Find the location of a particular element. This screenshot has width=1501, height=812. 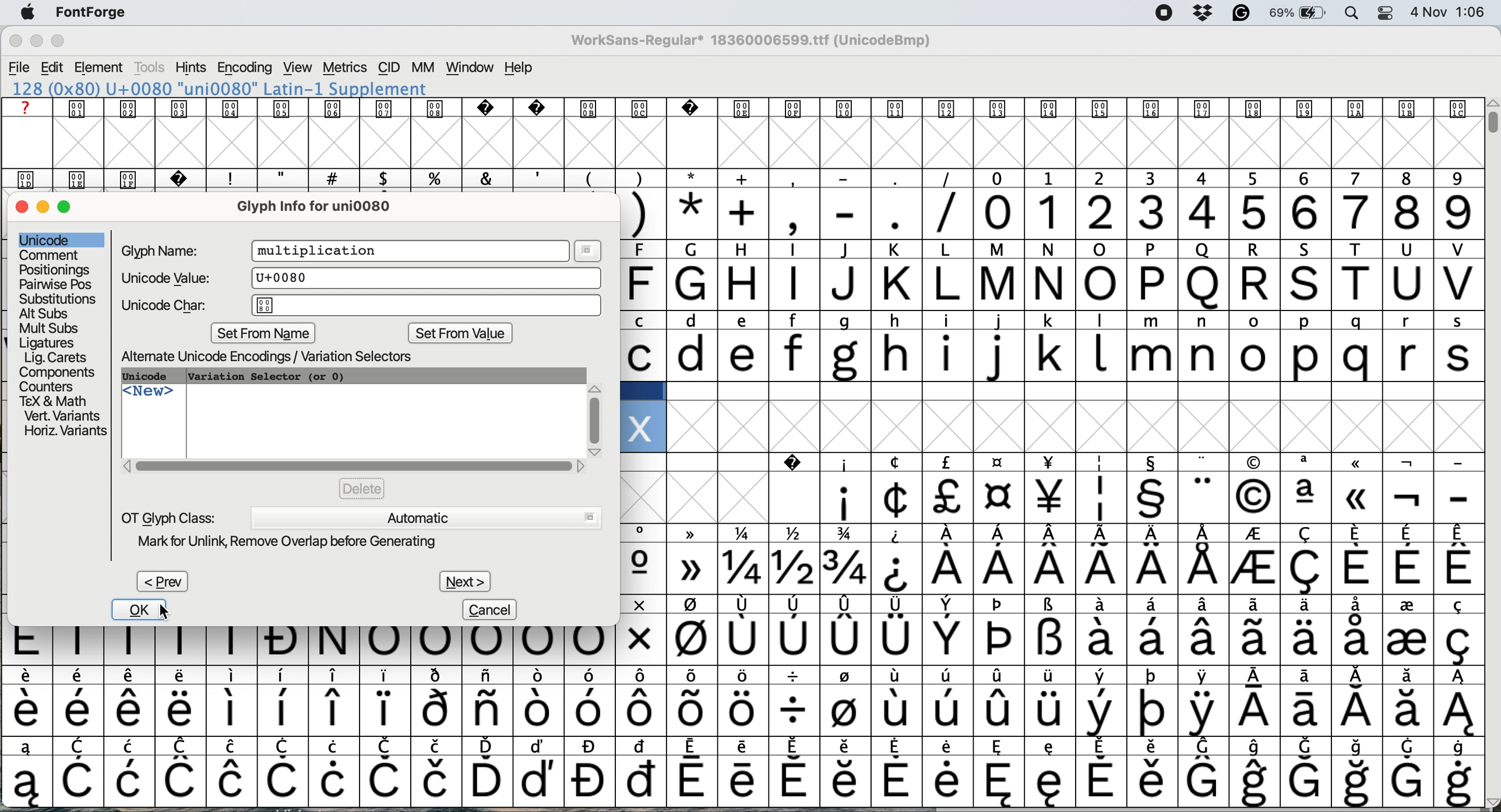

minimise is located at coordinates (44, 207).